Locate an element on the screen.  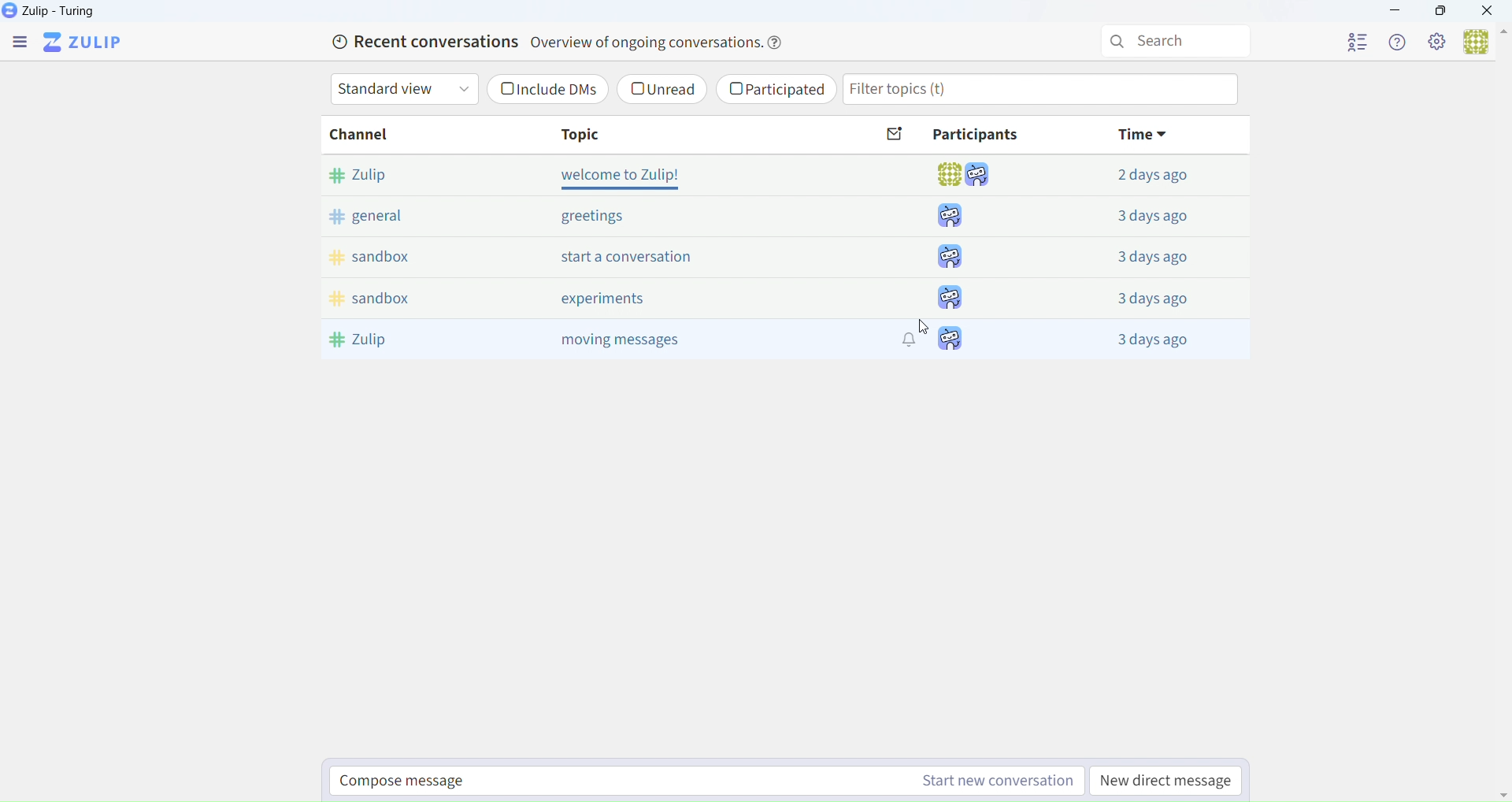
Zulip is located at coordinates (53, 12).